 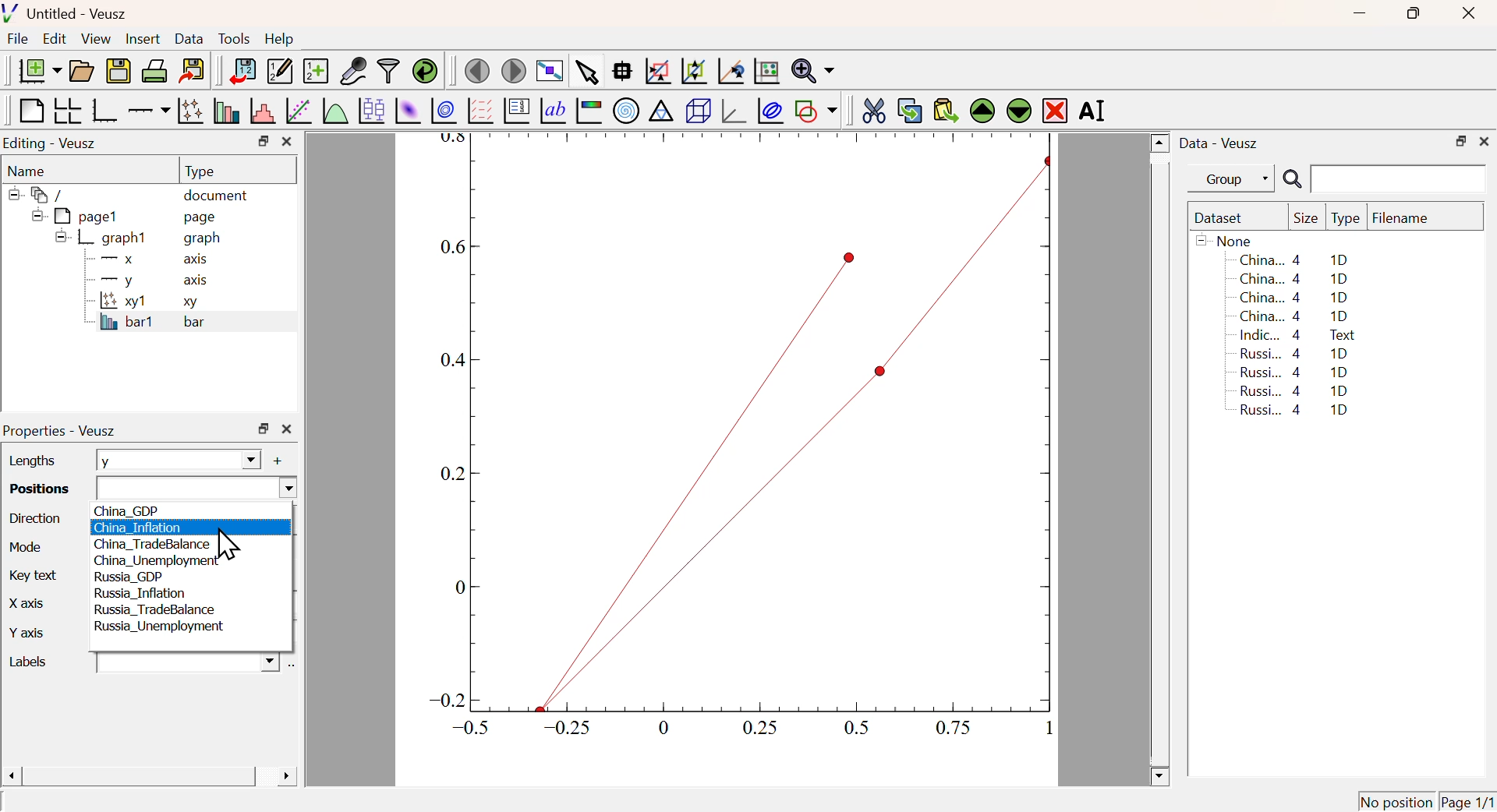 What do you see at coordinates (34, 487) in the screenshot?
I see `Positions` at bounding box center [34, 487].